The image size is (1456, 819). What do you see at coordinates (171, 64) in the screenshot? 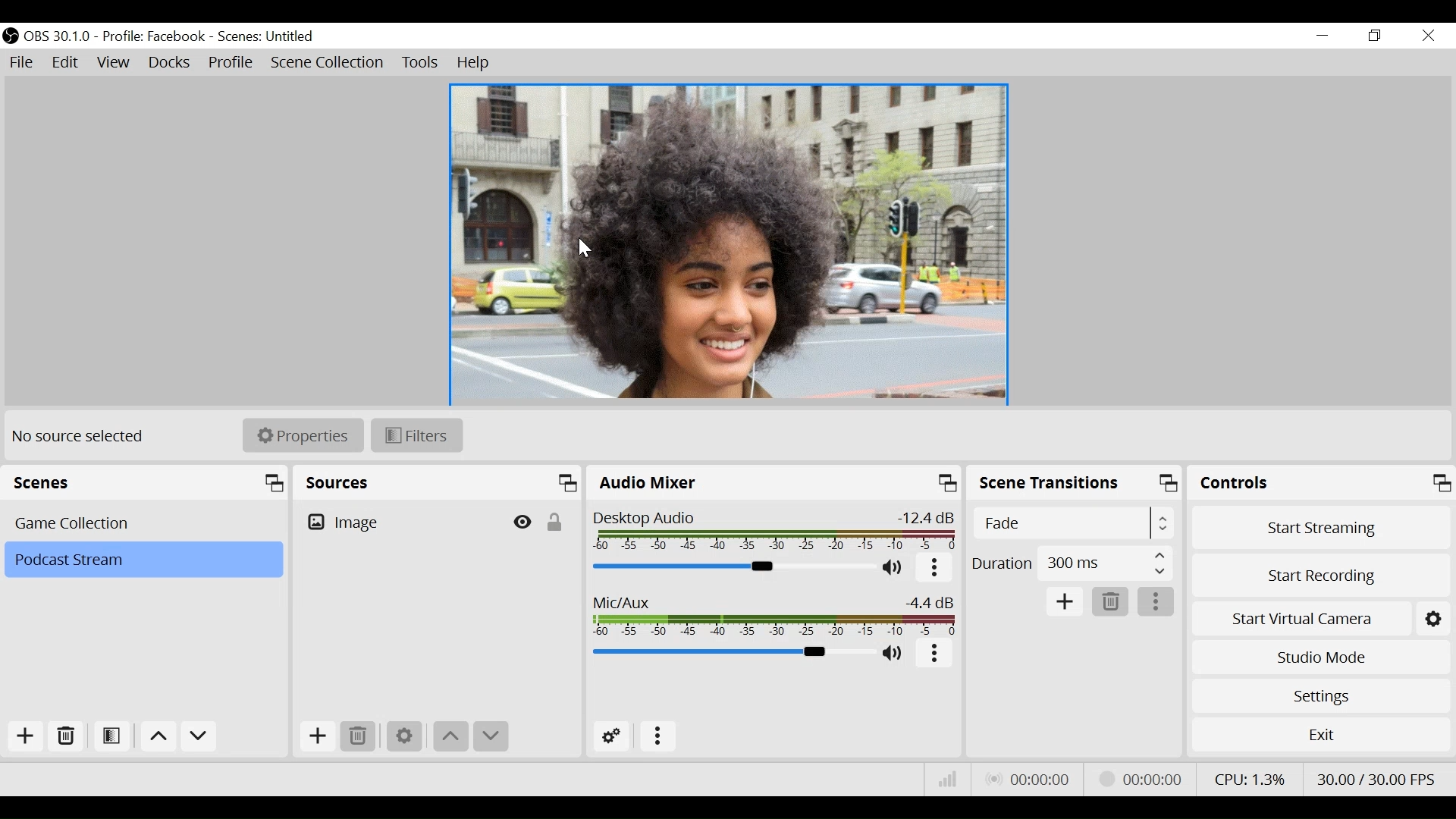
I see `Docks` at bounding box center [171, 64].